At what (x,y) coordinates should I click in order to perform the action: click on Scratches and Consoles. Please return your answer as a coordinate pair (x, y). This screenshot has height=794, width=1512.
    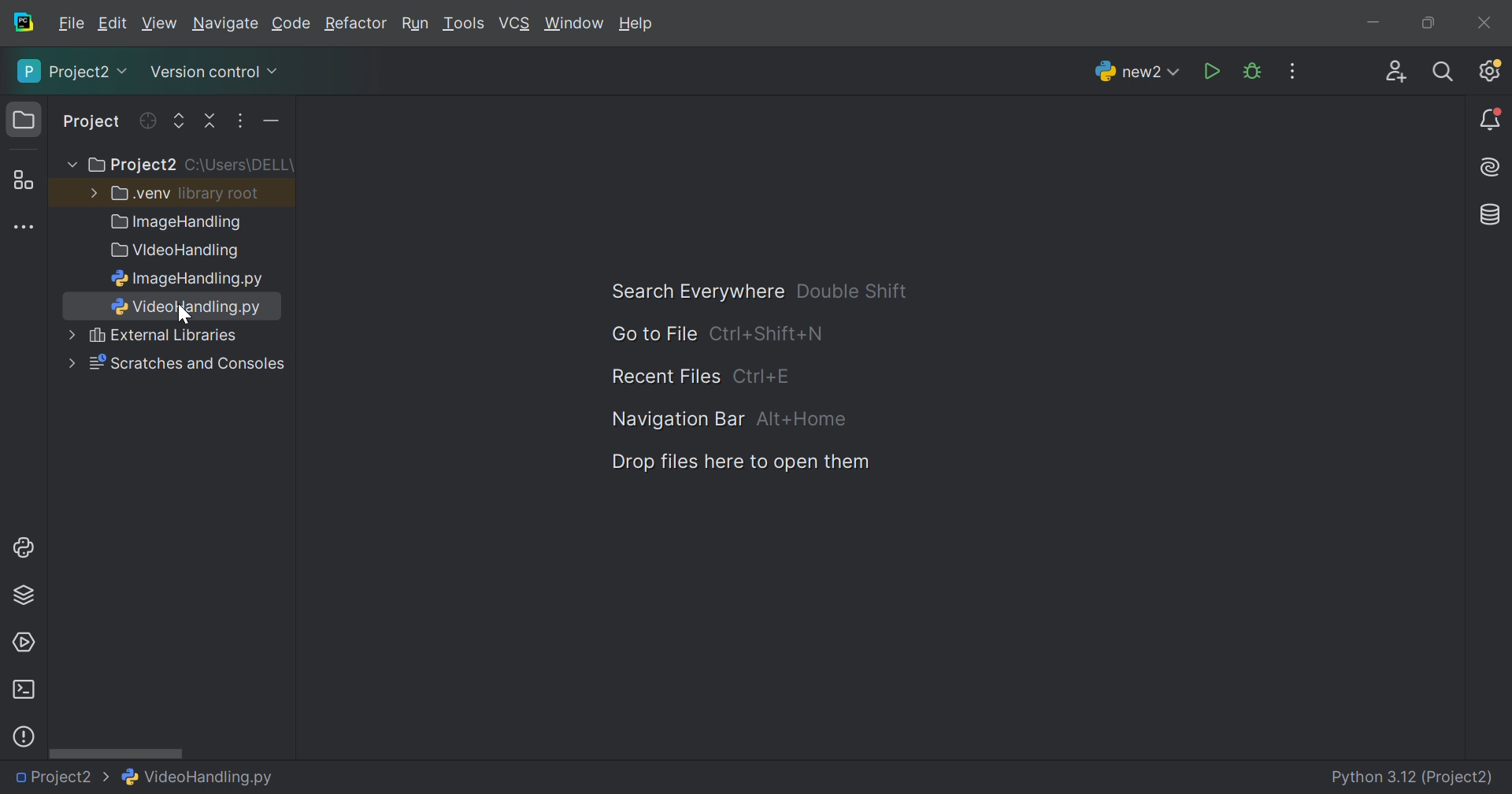
    Looking at the image, I should click on (187, 364).